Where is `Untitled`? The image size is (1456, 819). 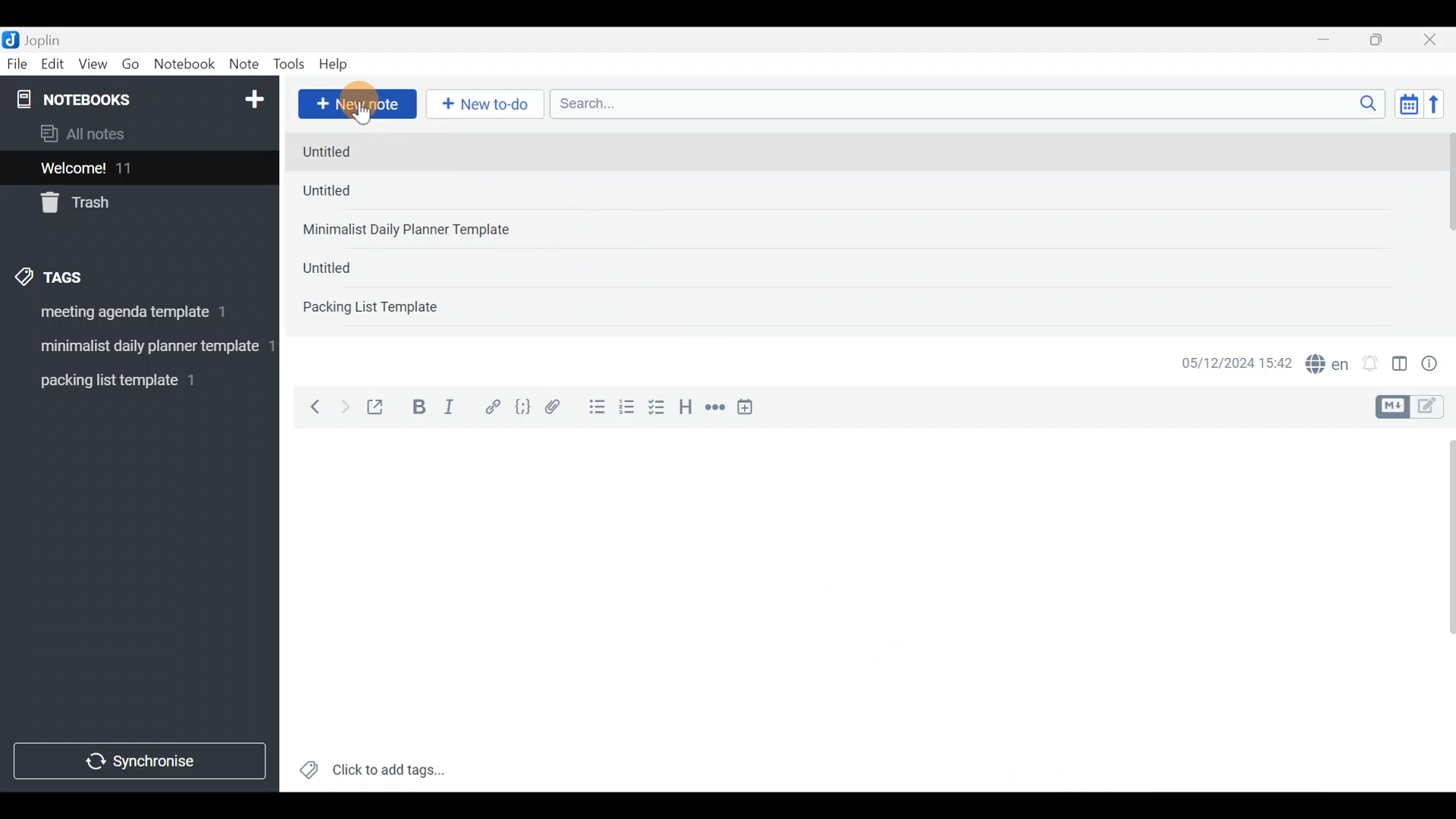 Untitled is located at coordinates (354, 152).